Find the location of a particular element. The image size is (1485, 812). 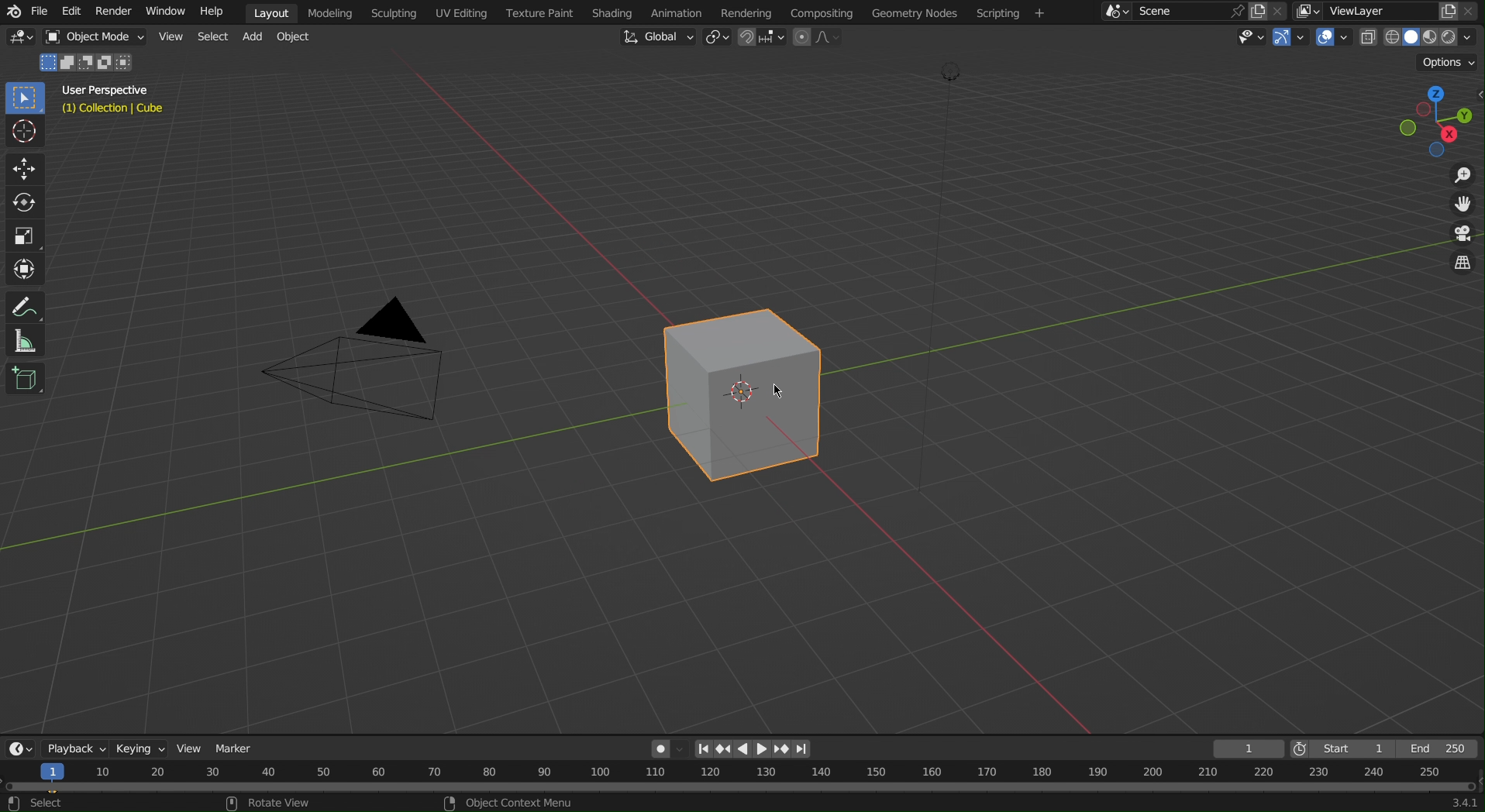

Compositing is located at coordinates (824, 12).